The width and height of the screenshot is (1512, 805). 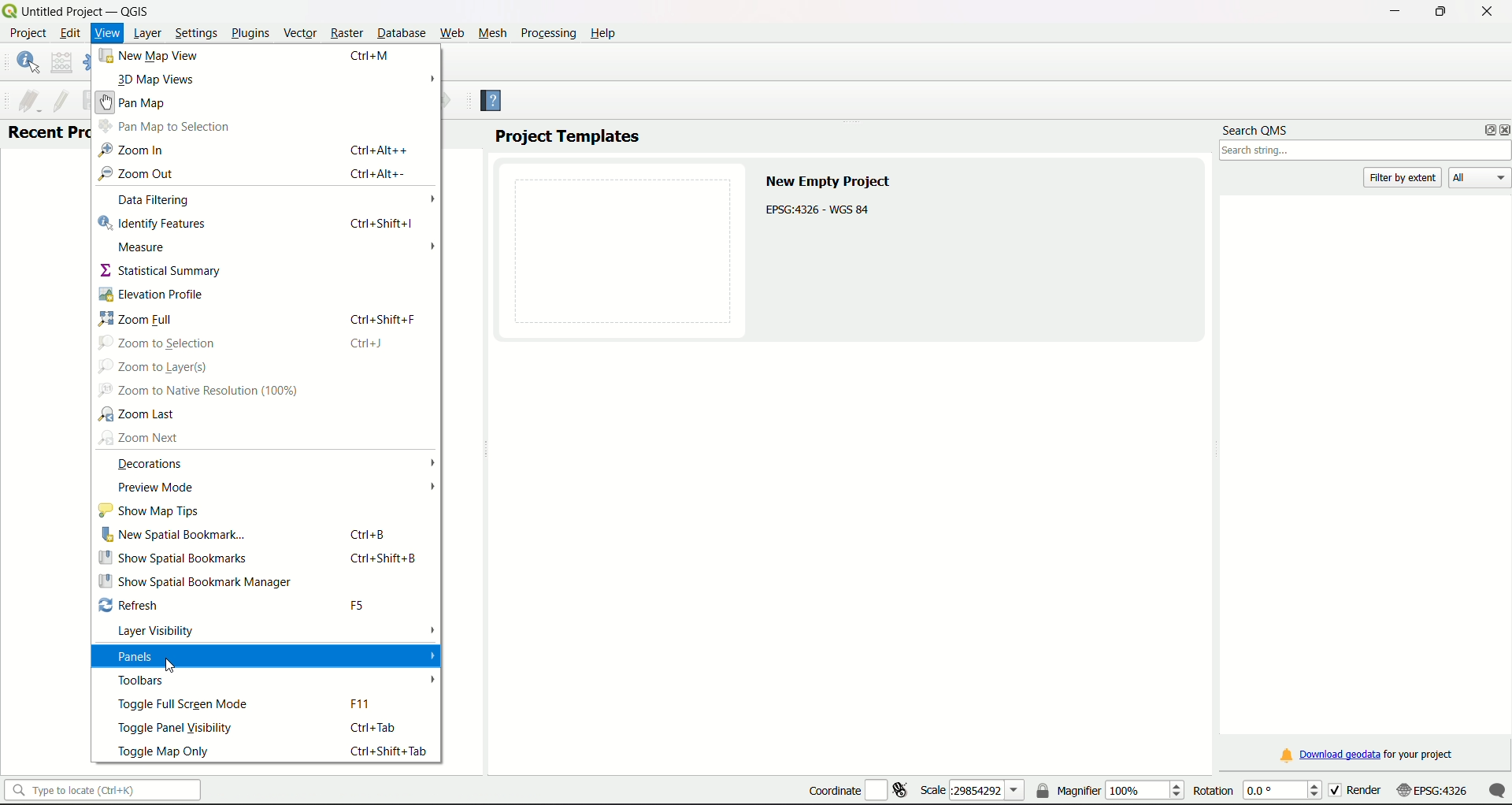 What do you see at coordinates (174, 729) in the screenshot?
I see `toggle panel visibility` at bounding box center [174, 729].